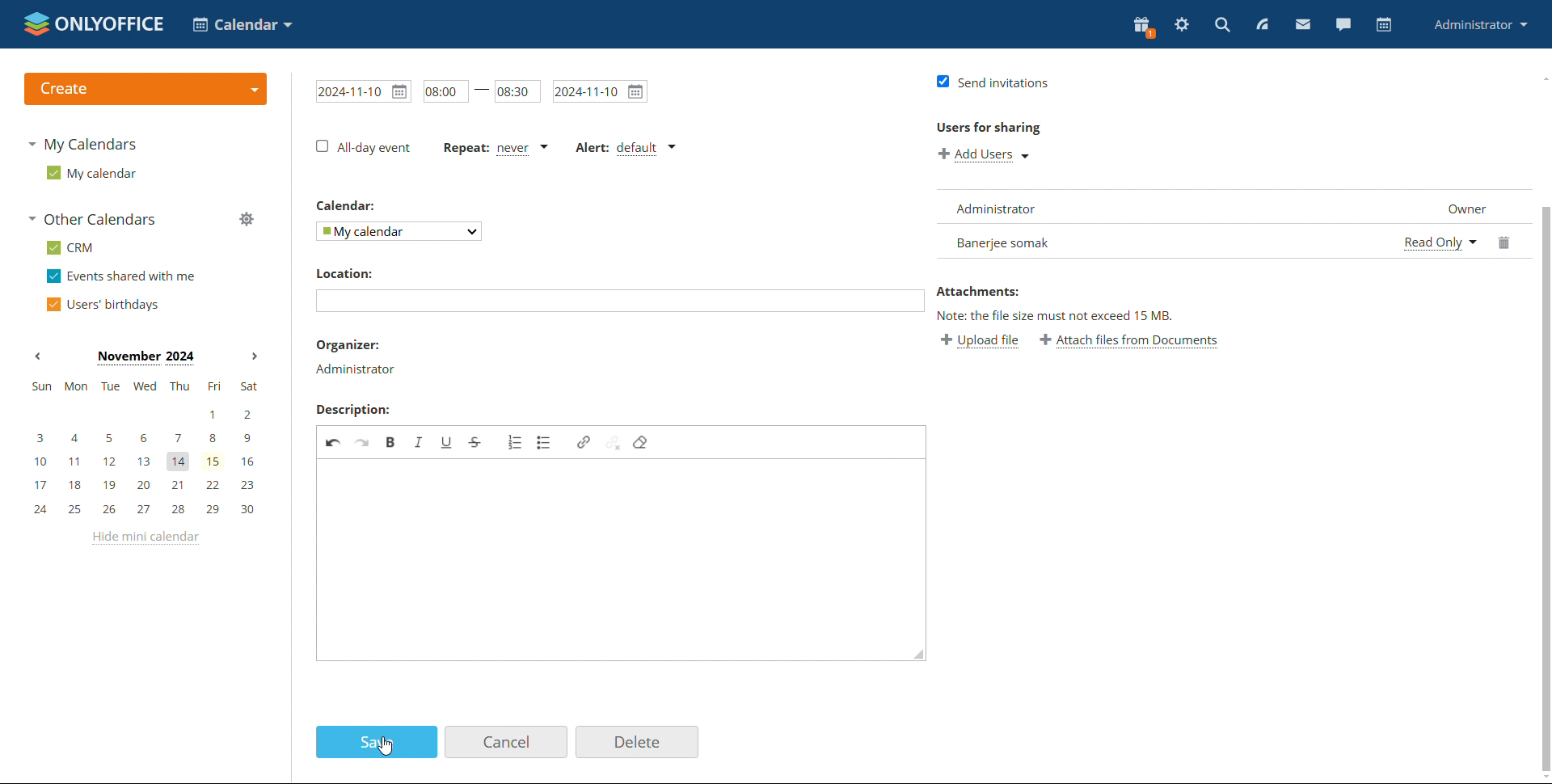 This screenshot has height=784, width=1552. What do you see at coordinates (1542, 377) in the screenshot?
I see `scrollbar` at bounding box center [1542, 377].